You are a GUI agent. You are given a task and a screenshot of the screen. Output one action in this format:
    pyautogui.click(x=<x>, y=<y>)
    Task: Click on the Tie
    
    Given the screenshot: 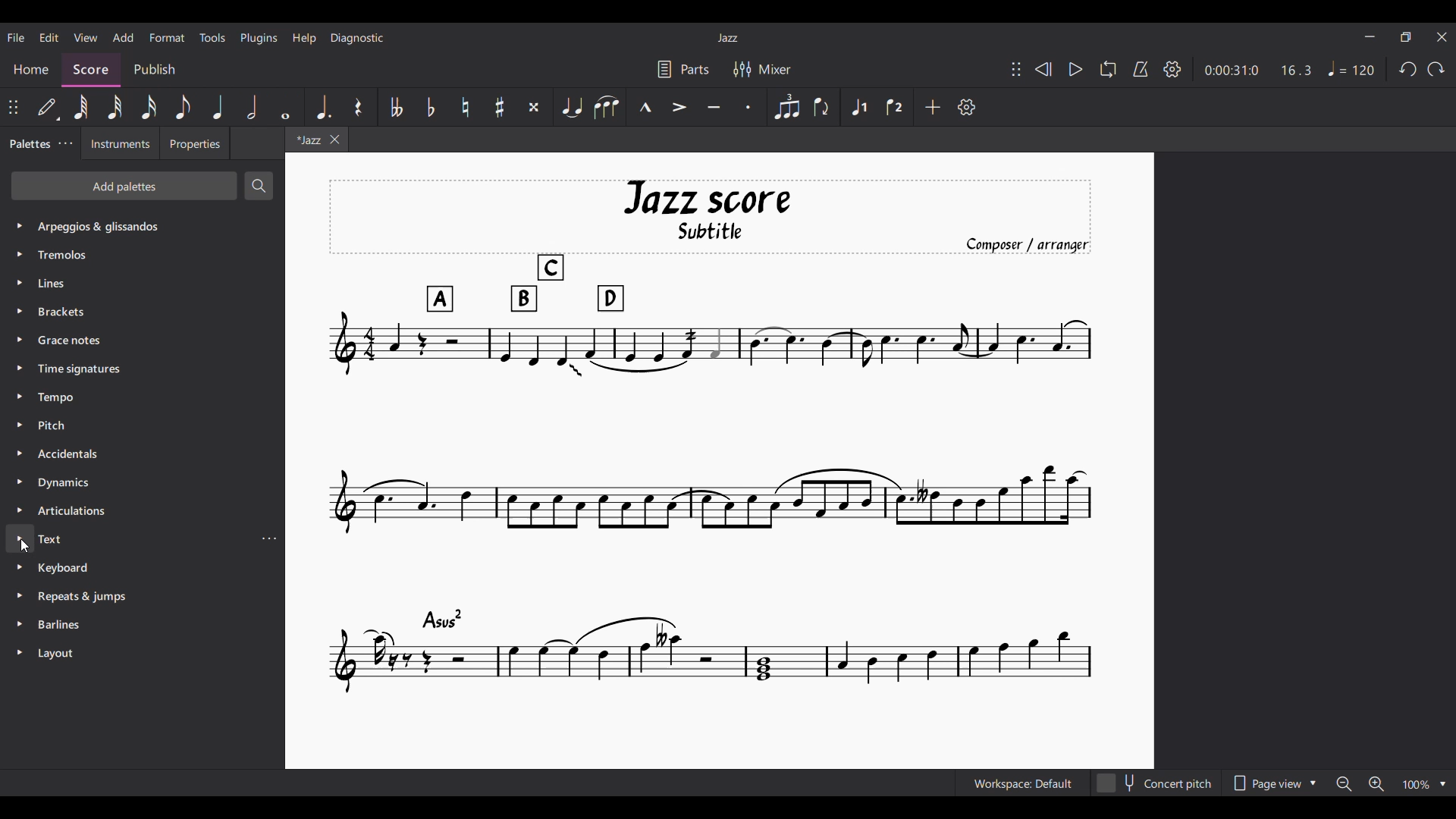 What is the action you would take?
    pyautogui.click(x=572, y=107)
    